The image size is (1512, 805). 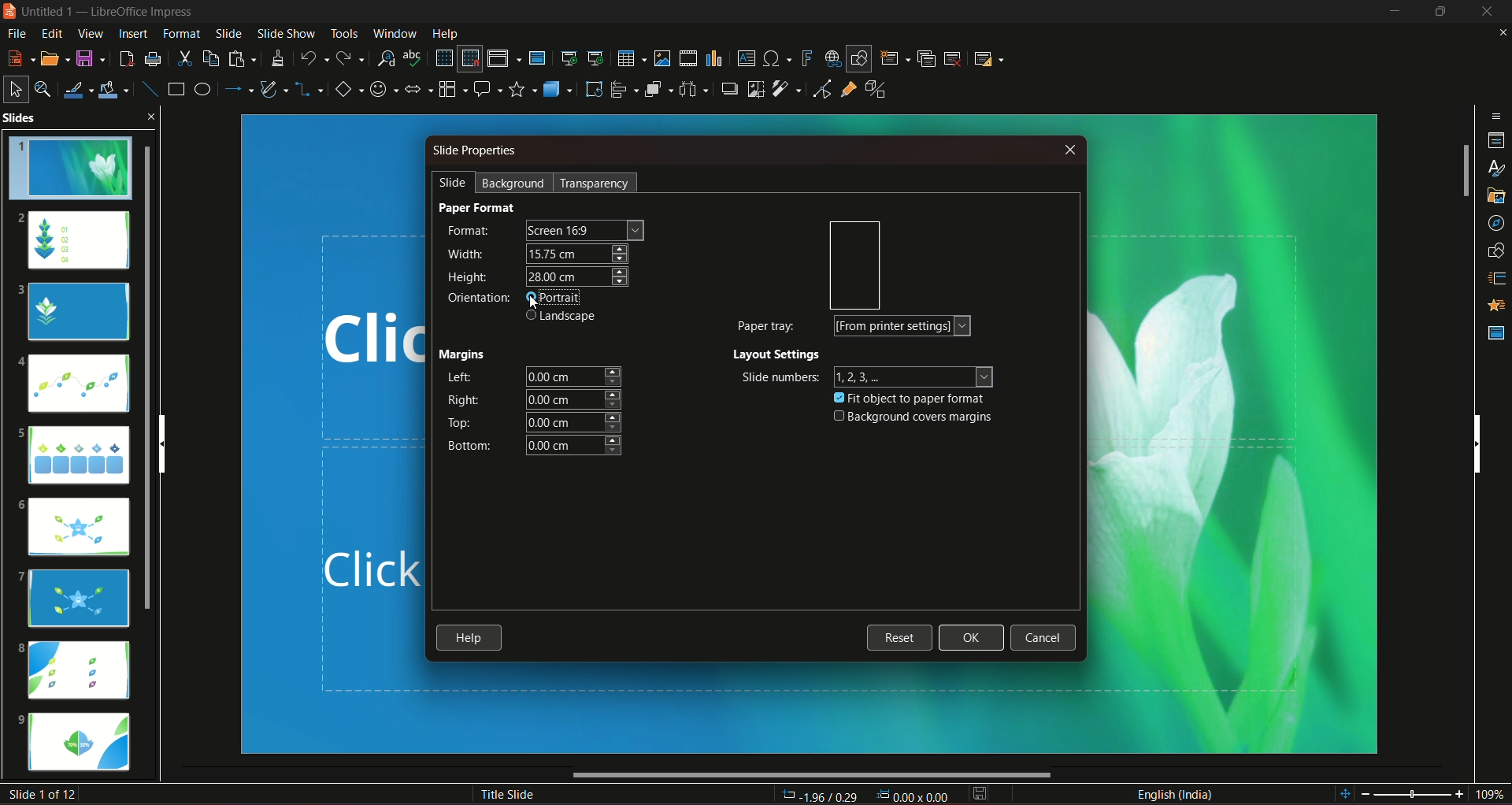 I want to click on block arrows, so click(x=419, y=90).